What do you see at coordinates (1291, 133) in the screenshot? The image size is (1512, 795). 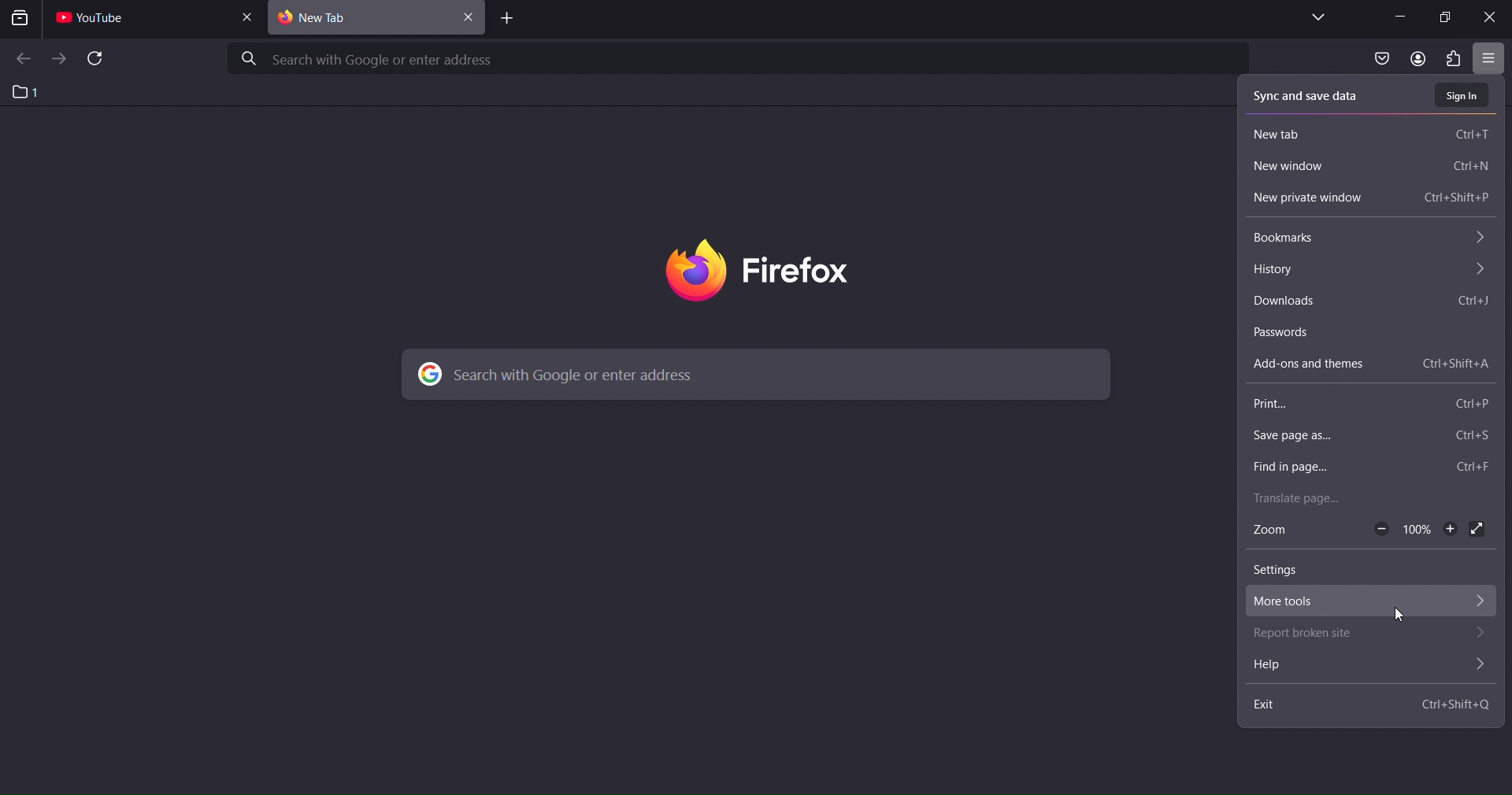 I see `new tab` at bounding box center [1291, 133].